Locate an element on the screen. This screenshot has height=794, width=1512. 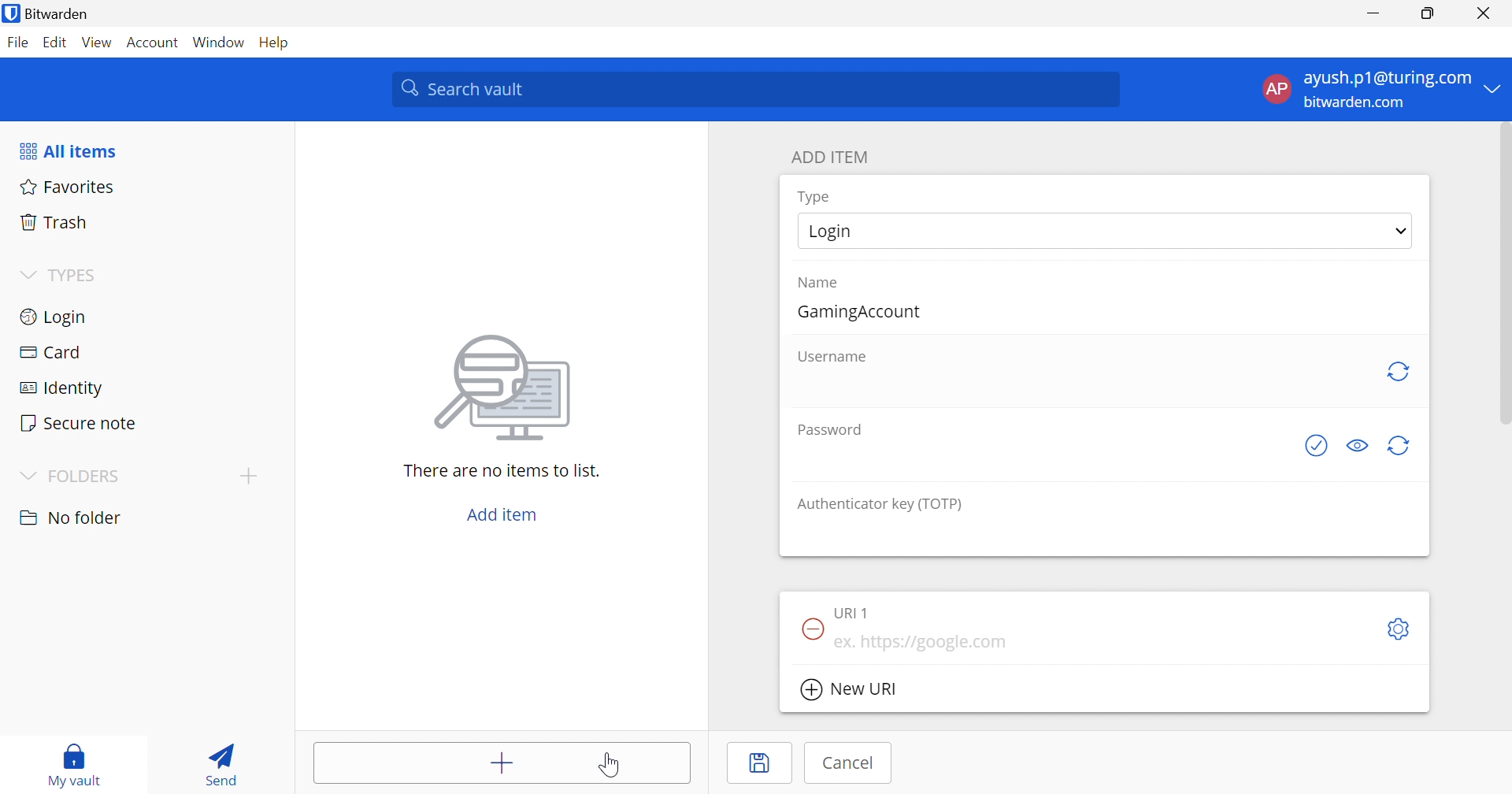
Toggle visibility is located at coordinates (1362, 445).